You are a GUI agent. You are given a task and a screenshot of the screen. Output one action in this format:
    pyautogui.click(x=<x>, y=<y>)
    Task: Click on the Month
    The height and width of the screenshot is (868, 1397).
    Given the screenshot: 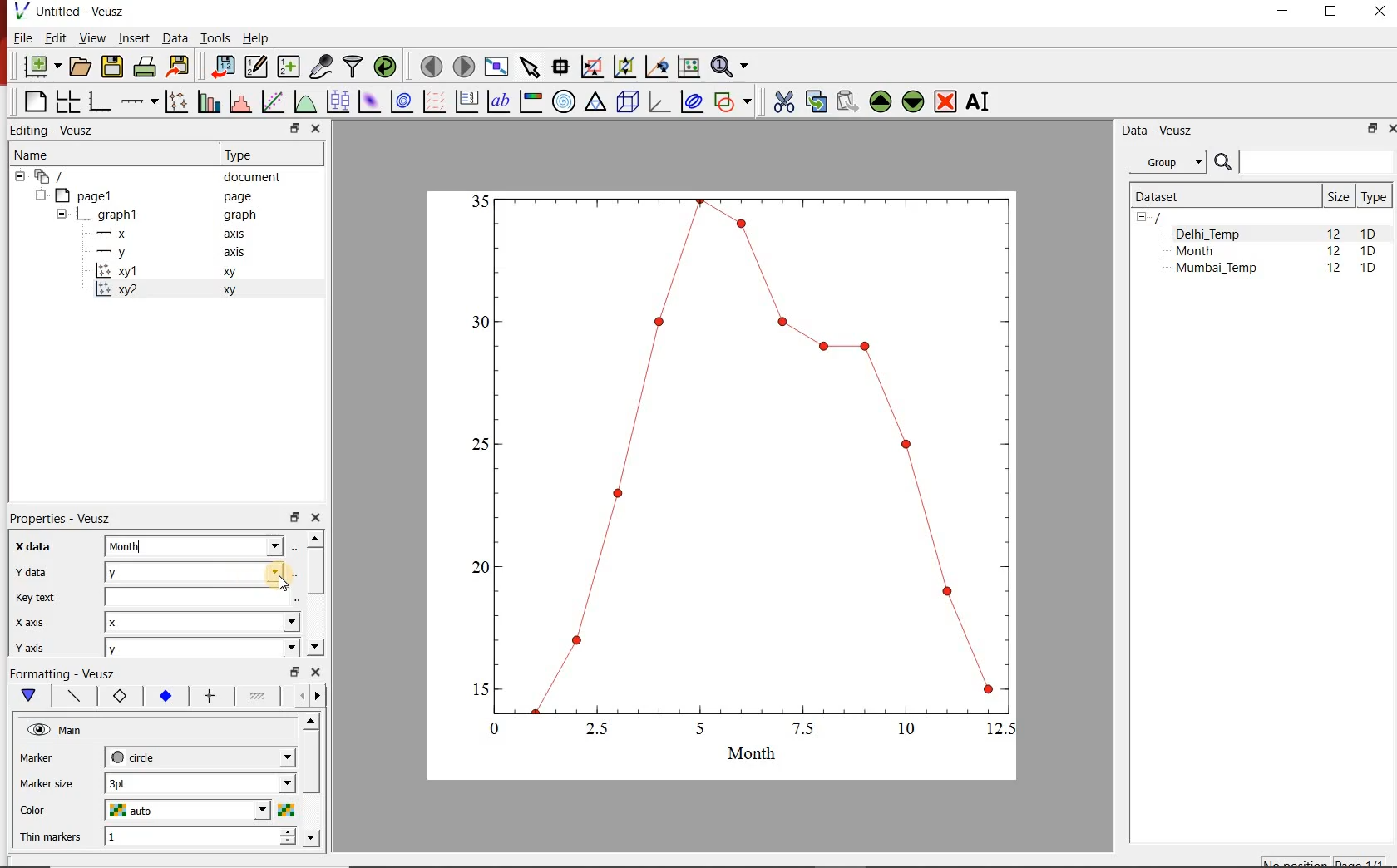 What is the action you would take?
    pyautogui.click(x=201, y=546)
    